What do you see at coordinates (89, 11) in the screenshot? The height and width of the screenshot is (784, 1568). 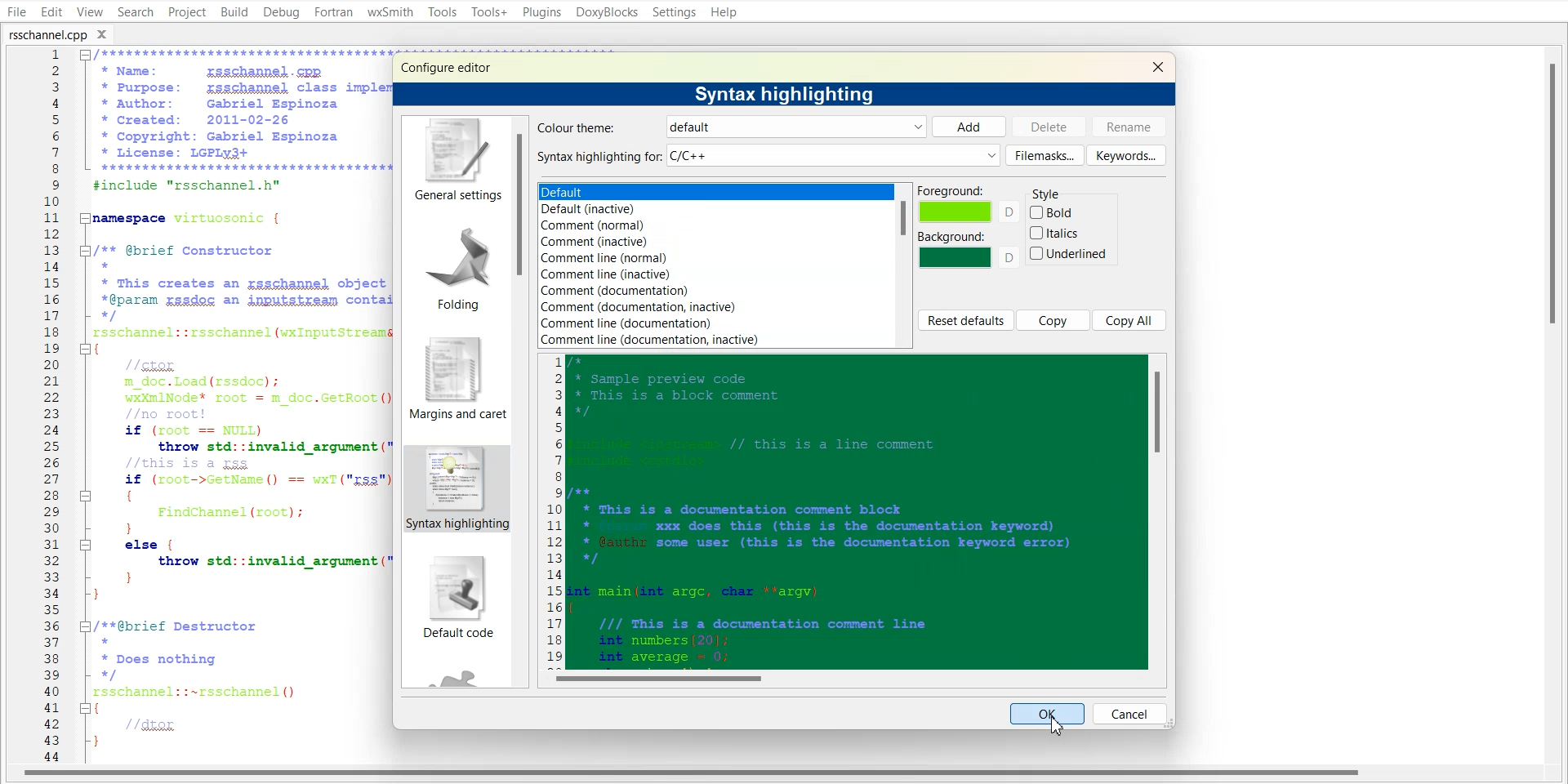 I see `View` at bounding box center [89, 11].